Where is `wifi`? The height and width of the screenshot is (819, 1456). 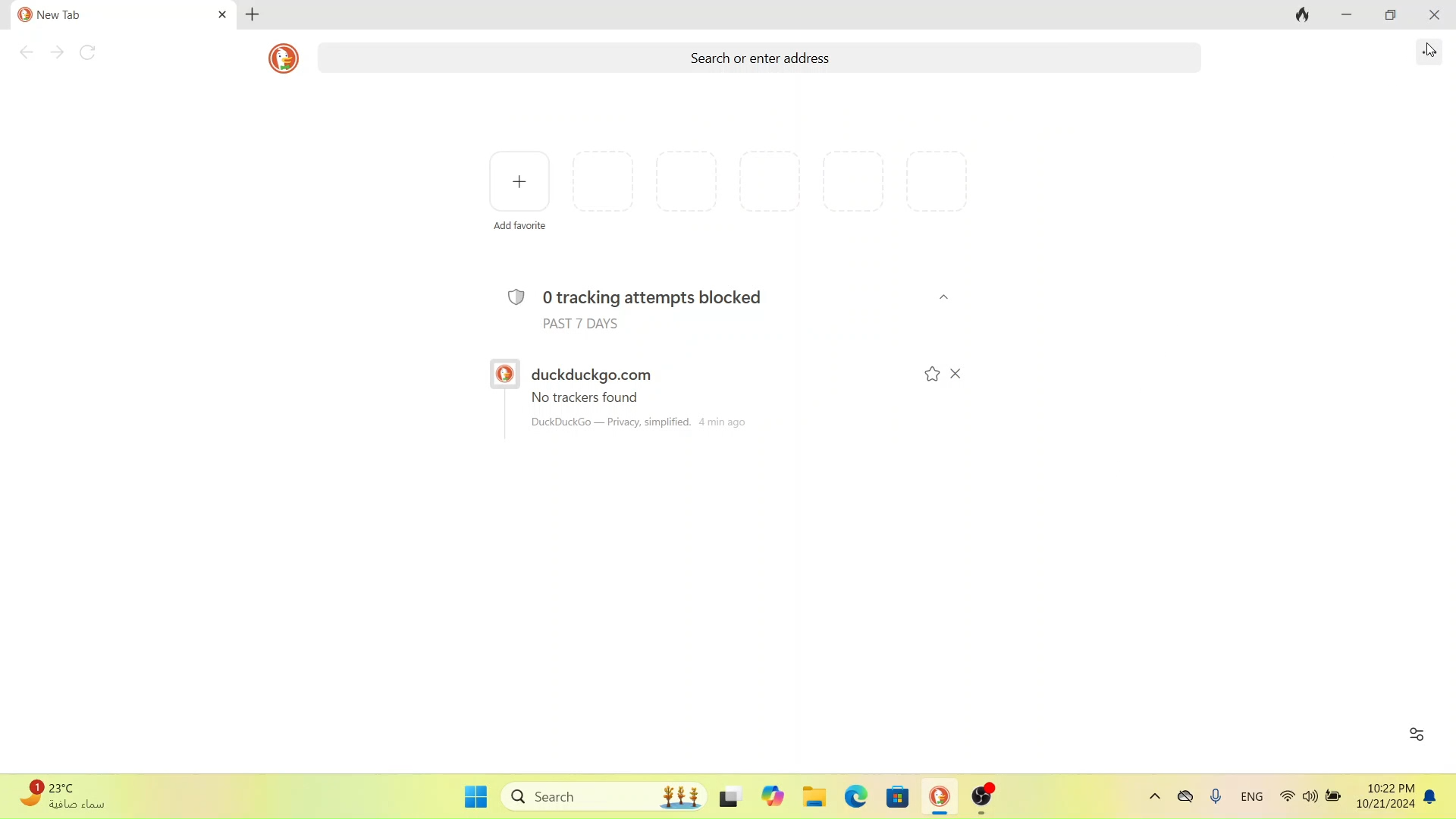
wifi is located at coordinates (1286, 802).